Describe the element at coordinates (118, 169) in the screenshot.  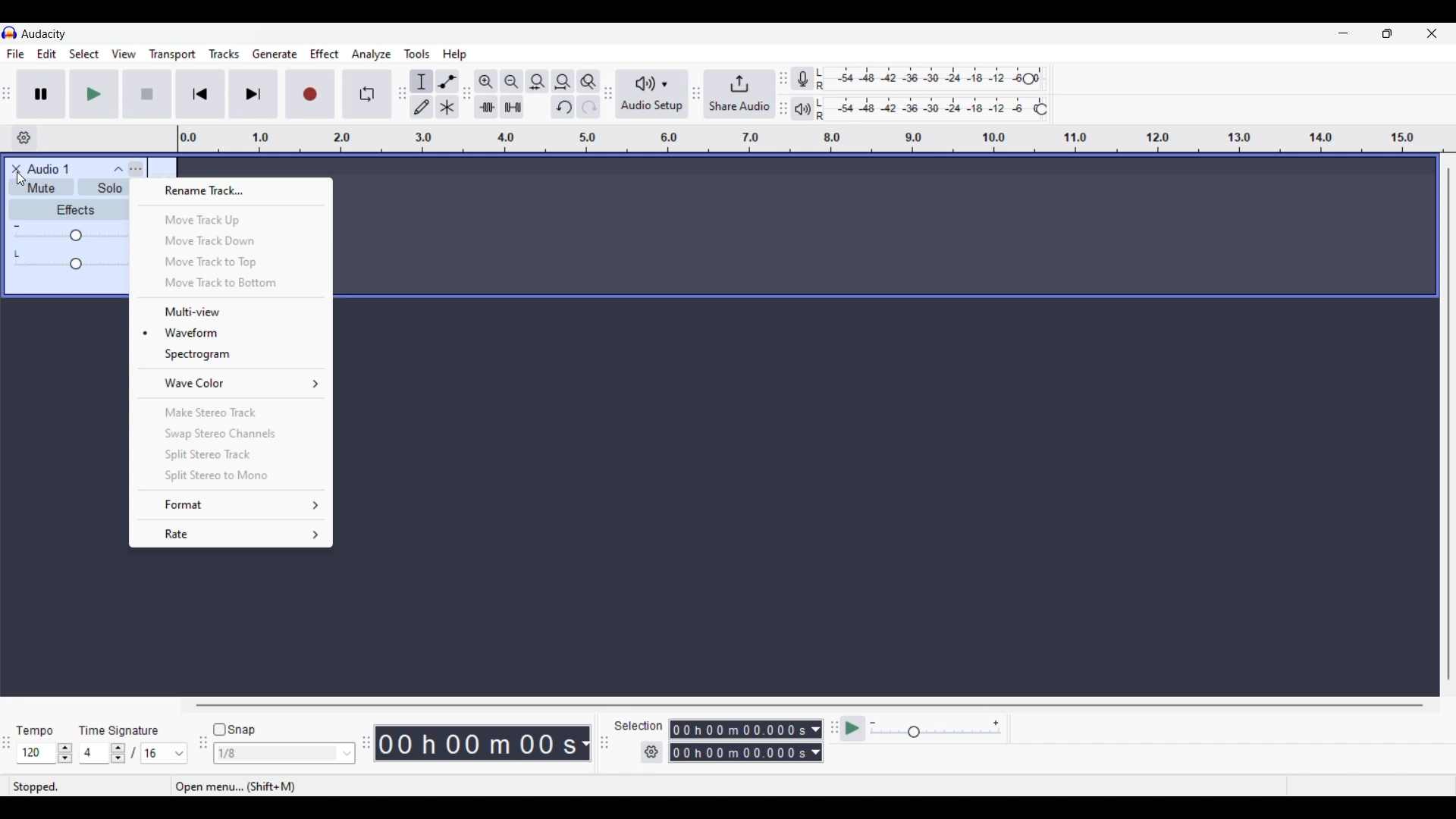
I see `Collapse` at that location.